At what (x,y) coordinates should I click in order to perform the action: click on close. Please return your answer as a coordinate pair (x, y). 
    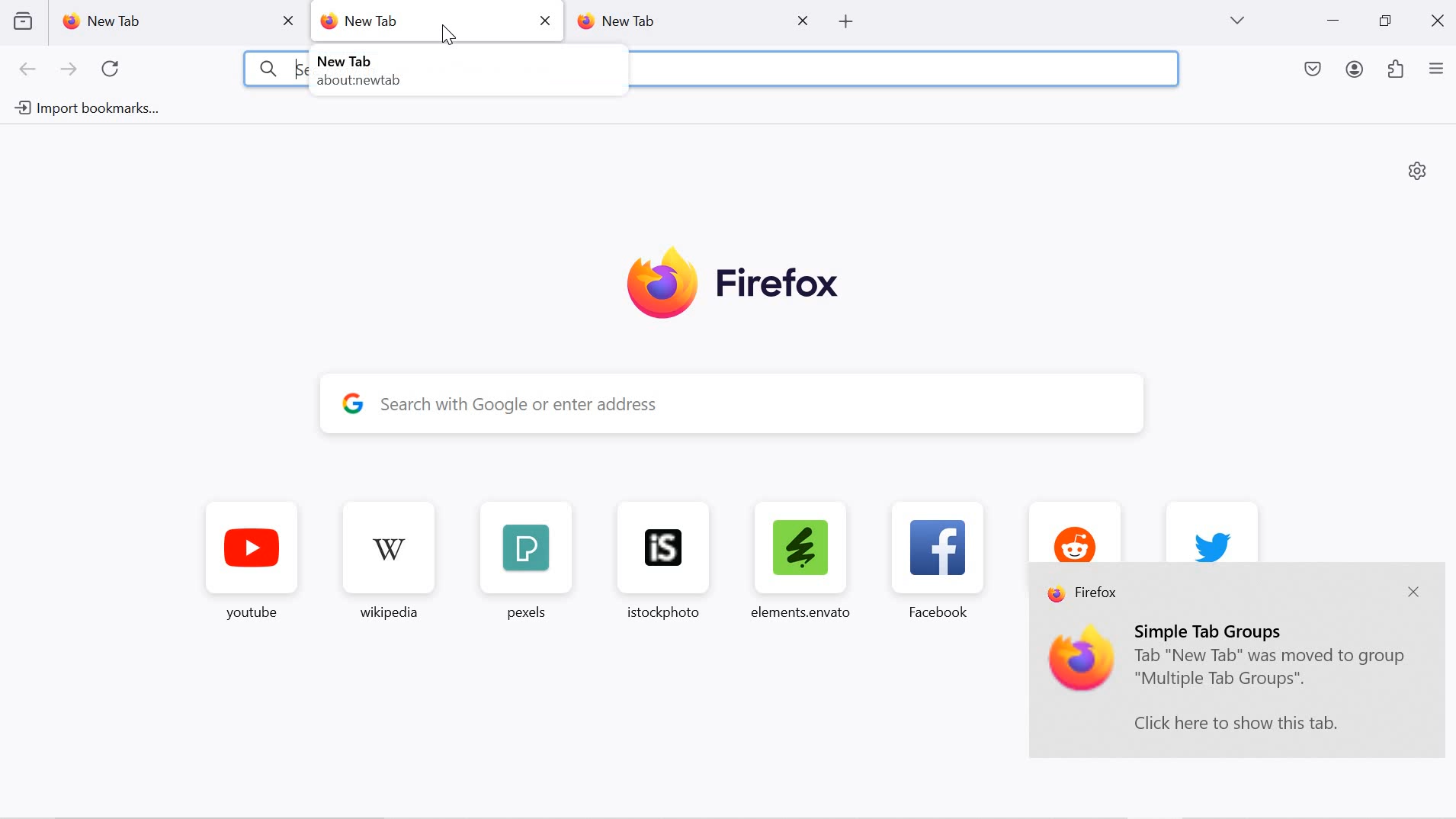
    Looking at the image, I should click on (1440, 19).